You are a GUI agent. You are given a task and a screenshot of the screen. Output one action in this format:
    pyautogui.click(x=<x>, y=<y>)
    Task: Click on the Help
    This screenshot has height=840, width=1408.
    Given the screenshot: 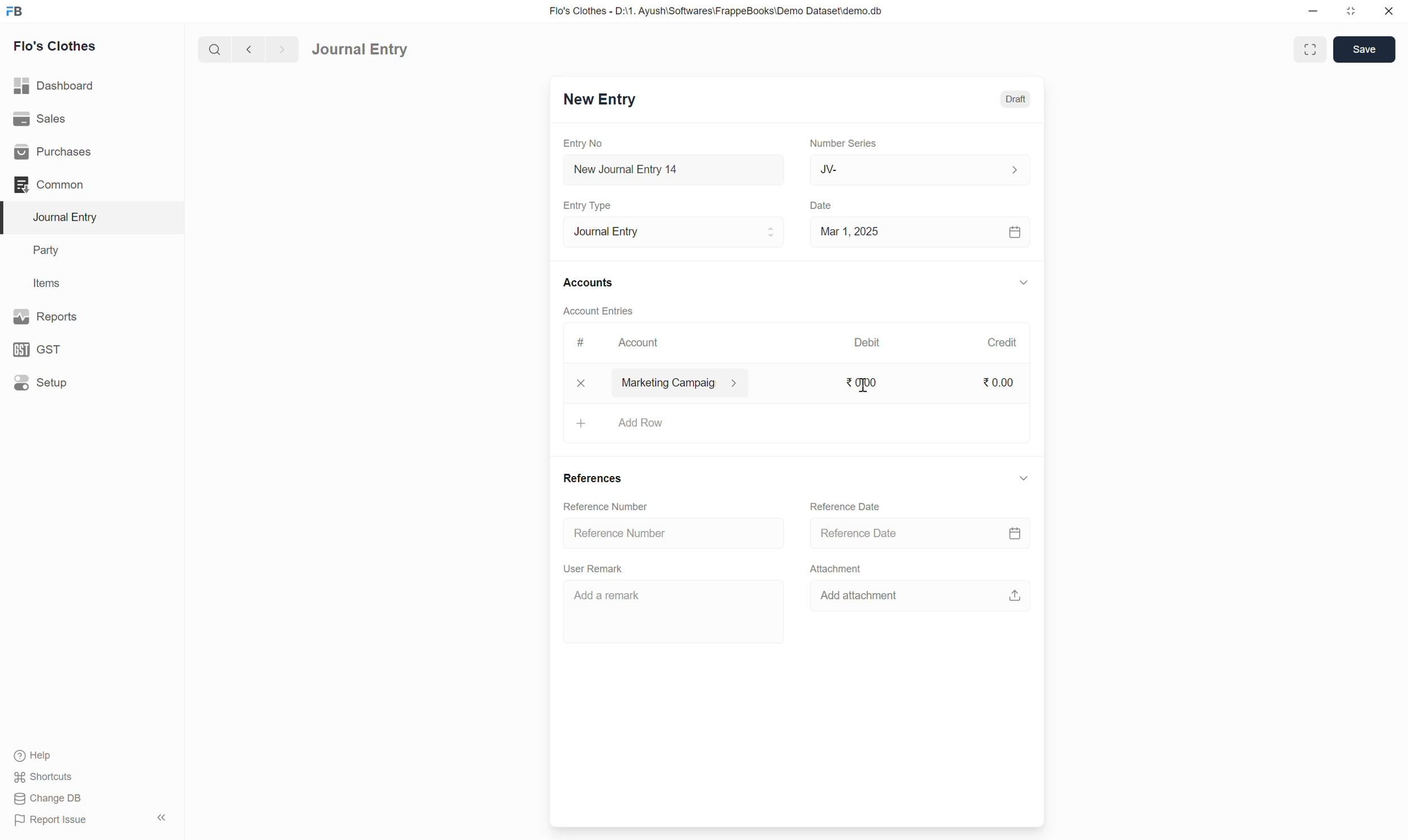 What is the action you would take?
    pyautogui.click(x=36, y=756)
    